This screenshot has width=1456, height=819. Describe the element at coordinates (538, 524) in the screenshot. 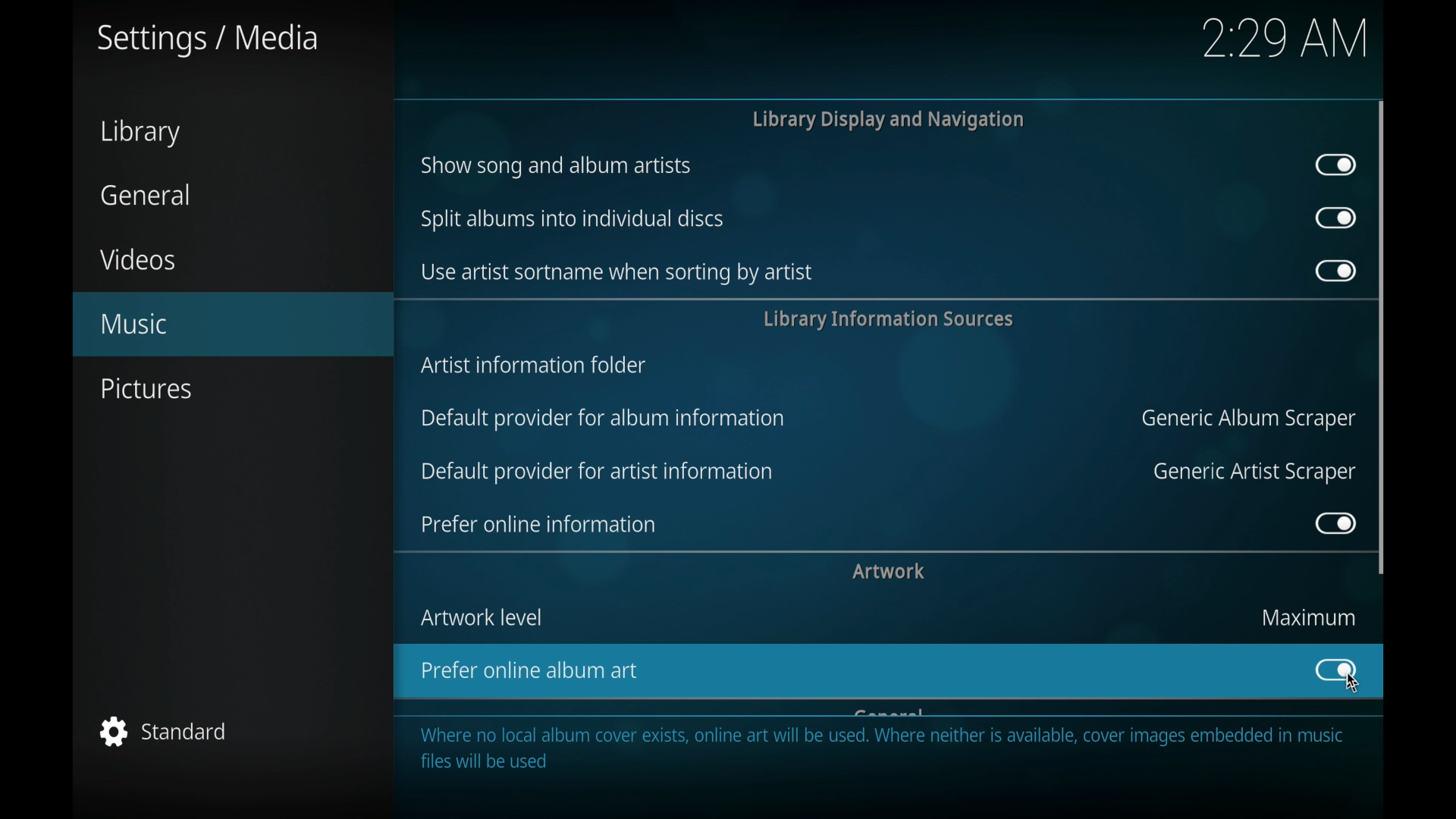

I see `prefer online information` at that location.